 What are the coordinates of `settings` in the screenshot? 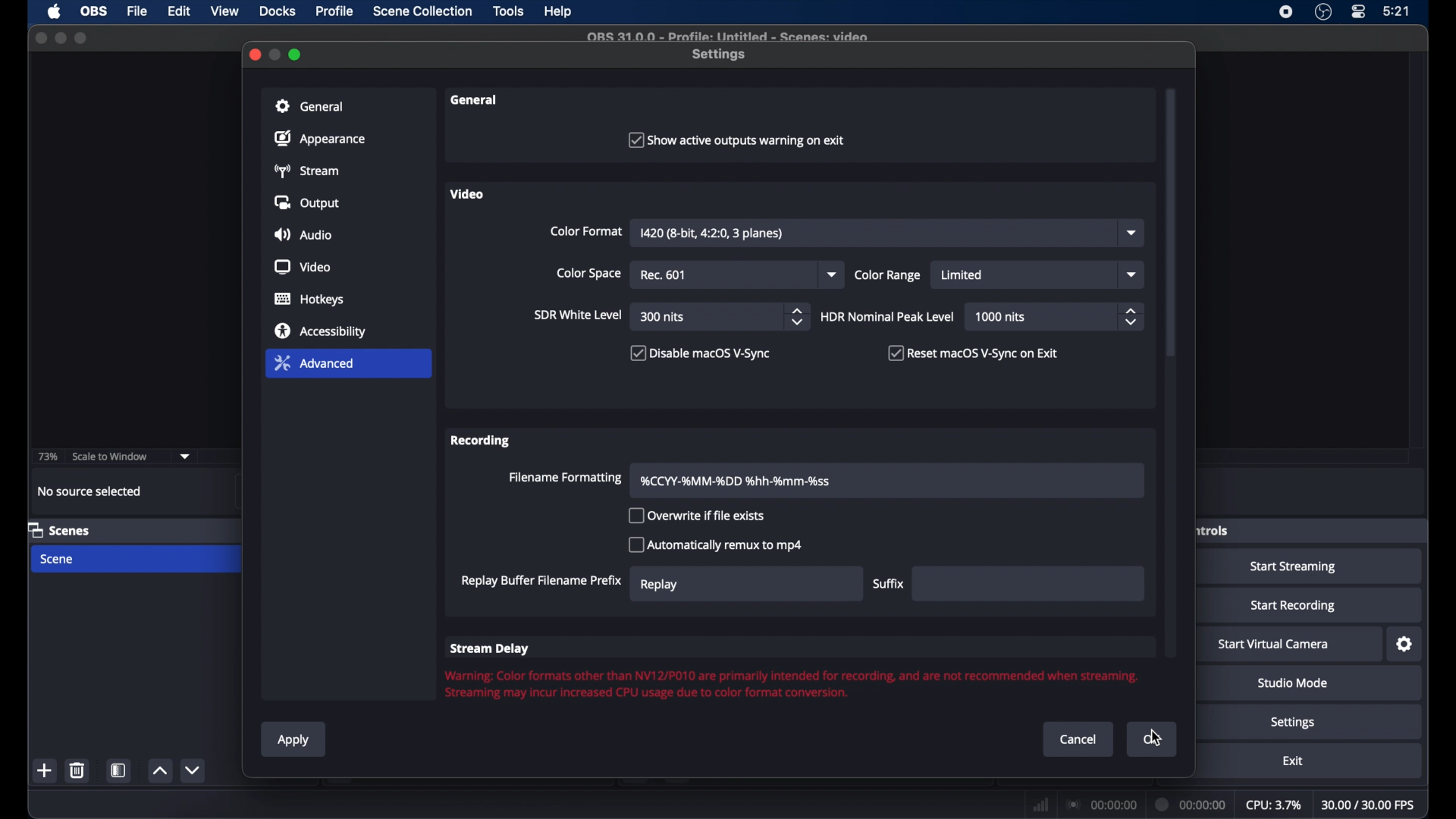 It's located at (1405, 645).